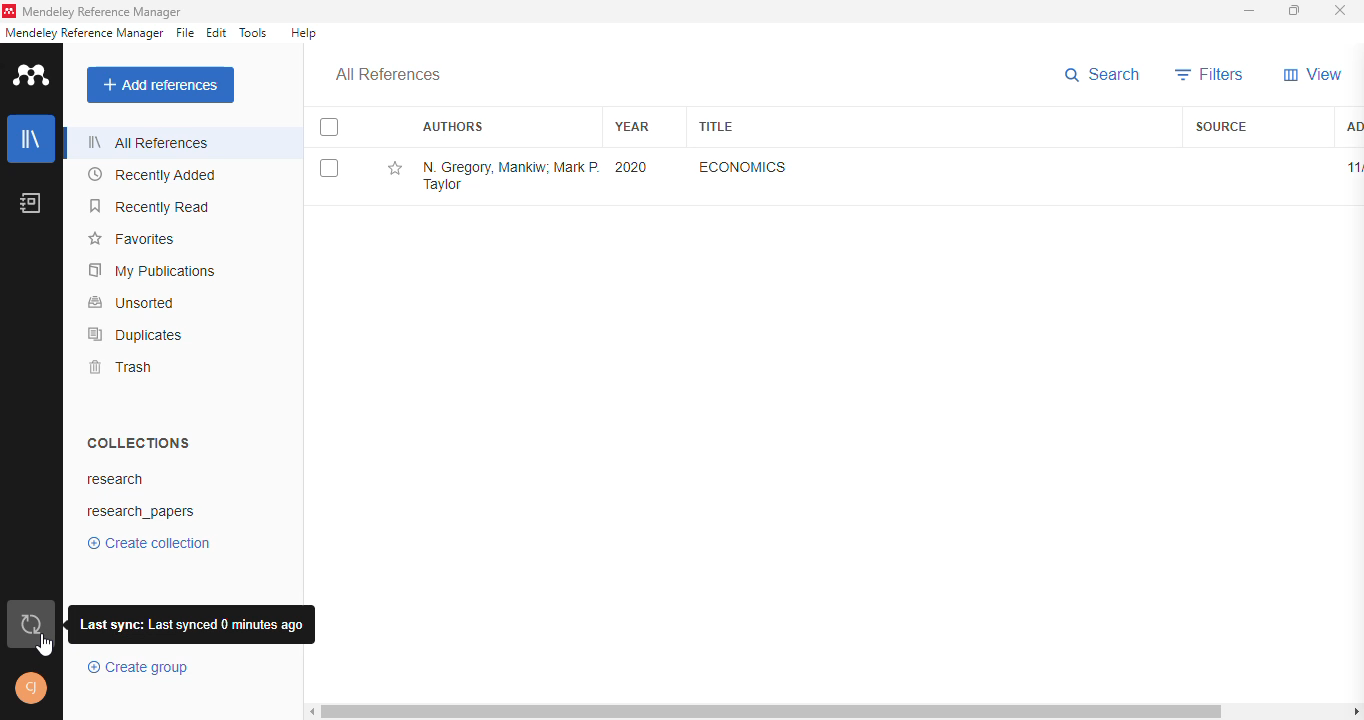 This screenshot has width=1364, height=720. Describe the element at coordinates (1353, 127) in the screenshot. I see `added` at that location.